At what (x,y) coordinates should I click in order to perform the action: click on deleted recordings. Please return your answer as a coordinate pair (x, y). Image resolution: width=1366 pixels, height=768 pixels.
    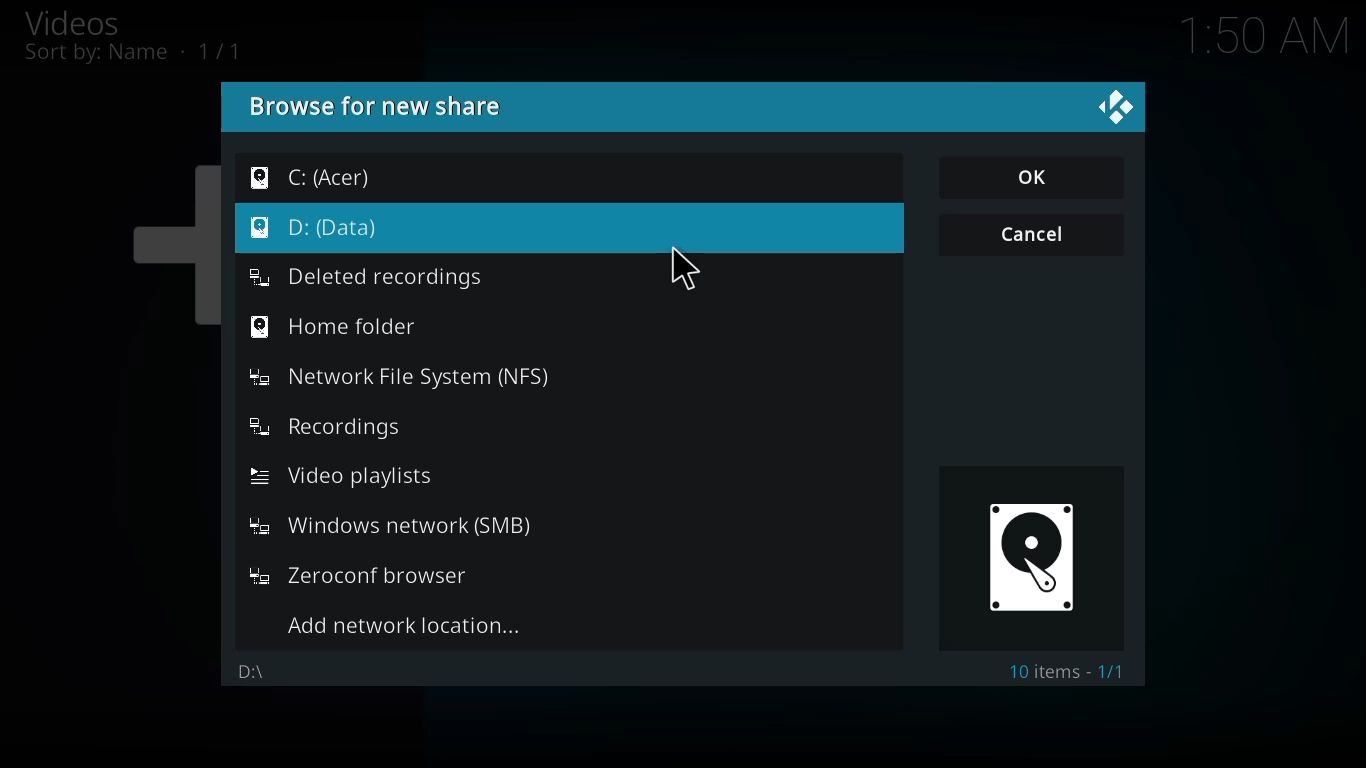
    Looking at the image, I should click on (370, 278).